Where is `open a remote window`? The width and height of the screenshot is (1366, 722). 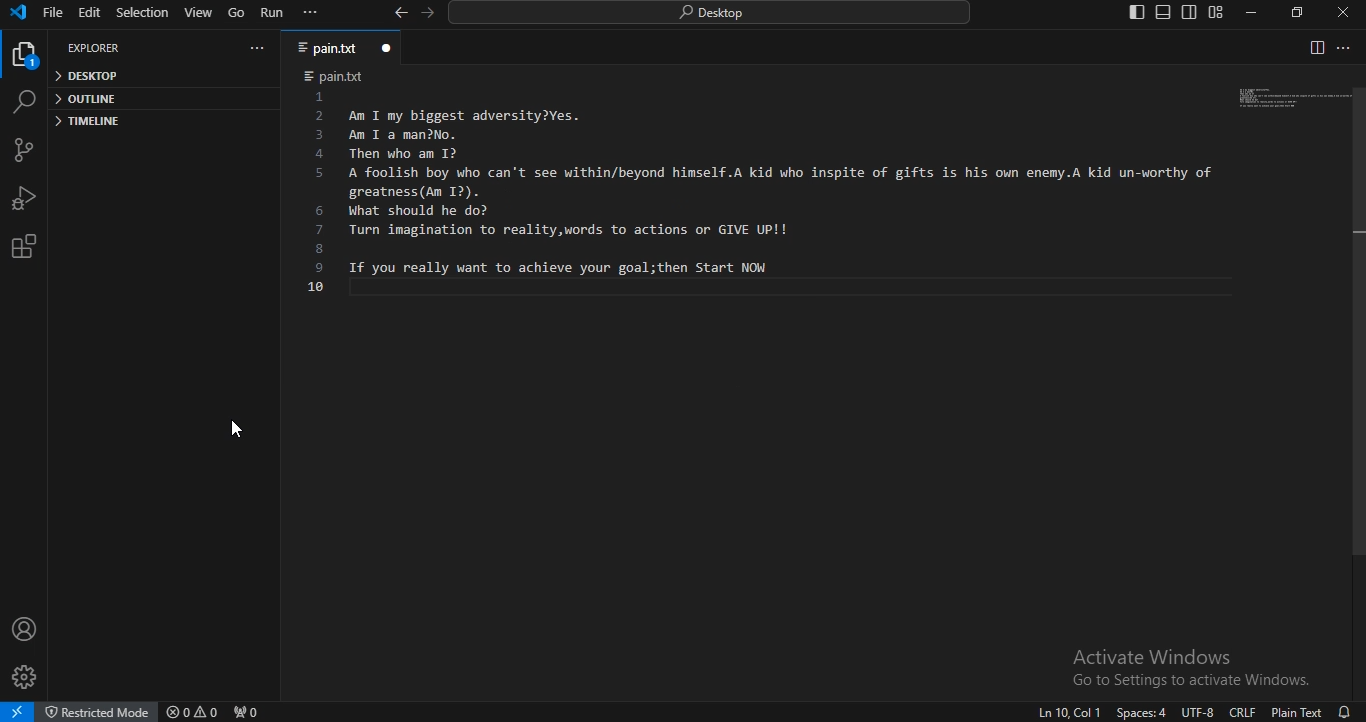 open a remote window is located at coordinates (17, 713).